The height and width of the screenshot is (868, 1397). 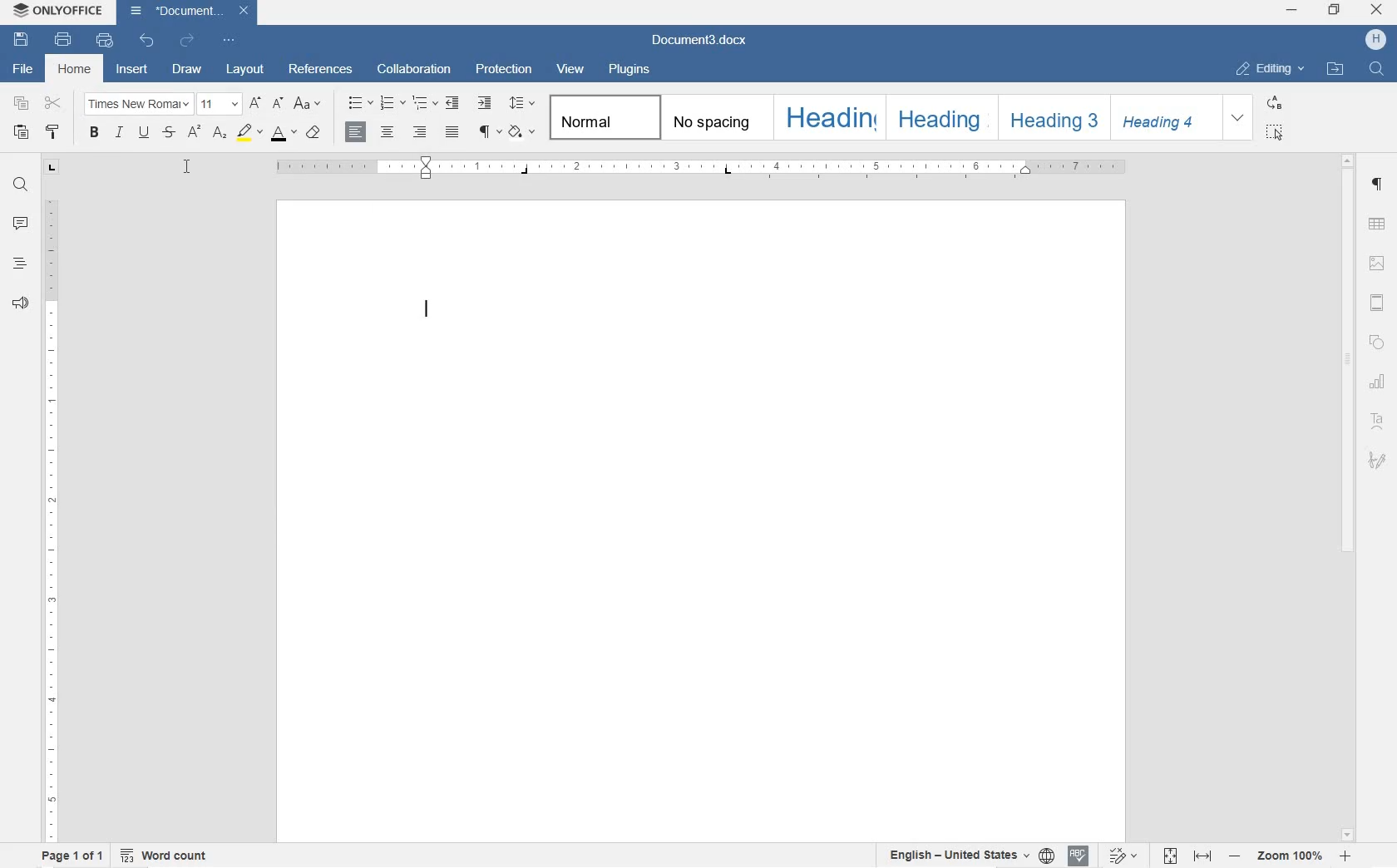 What do you see at coordinates (1377, 462) in the screenshot?
I see `SIGNATURE` at bounding box center [1377, 462].